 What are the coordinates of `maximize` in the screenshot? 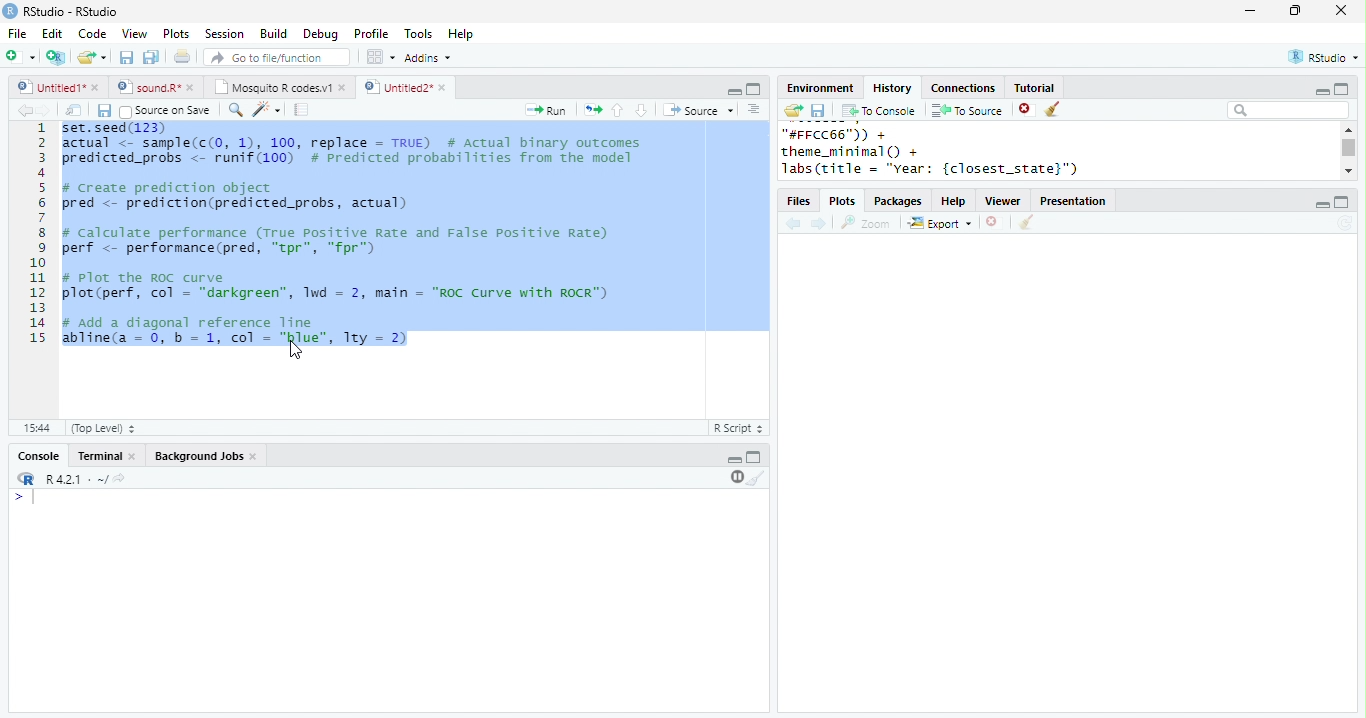 It's located at (753, 89).